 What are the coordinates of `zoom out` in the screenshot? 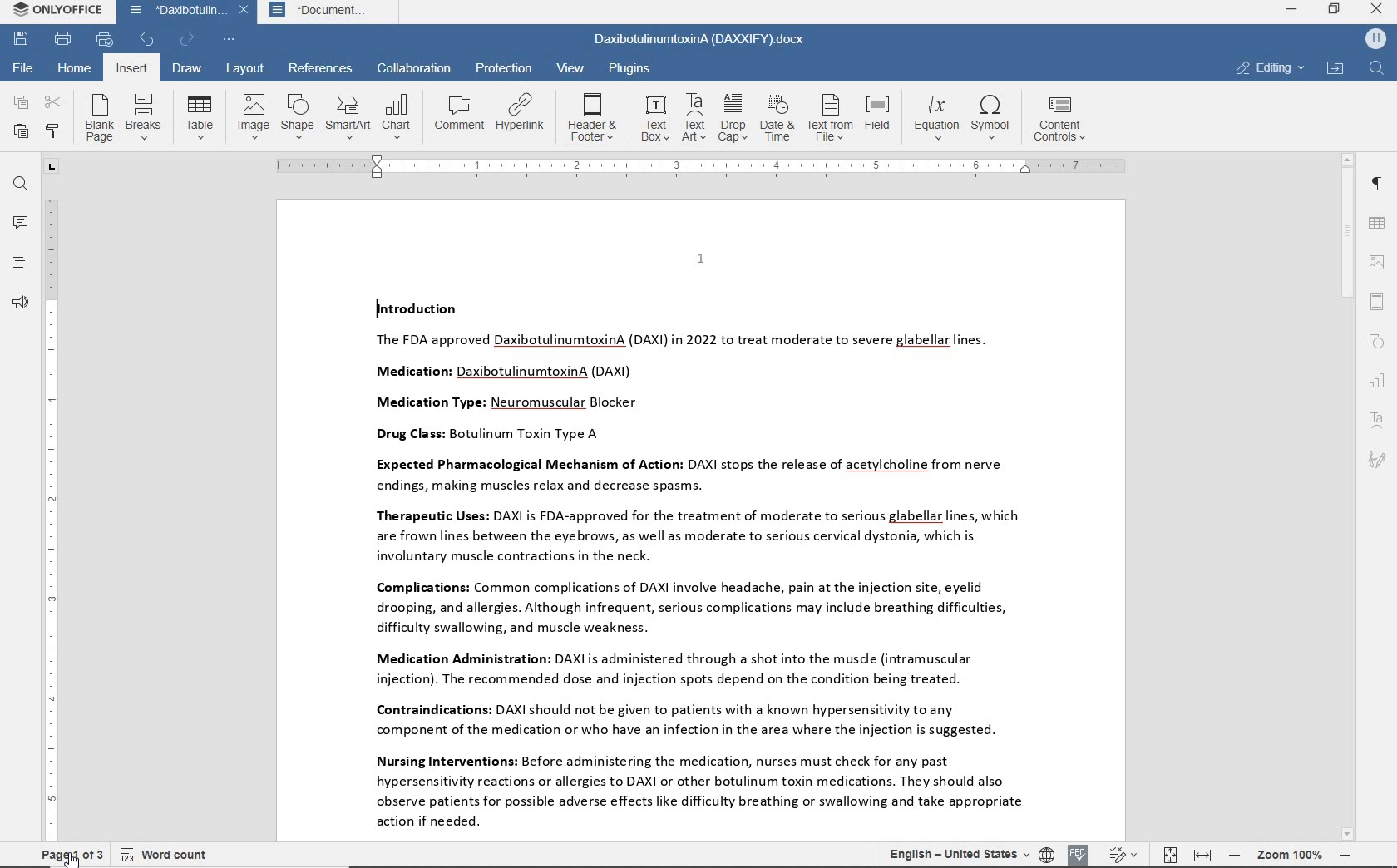 It's located at (1235, 855).